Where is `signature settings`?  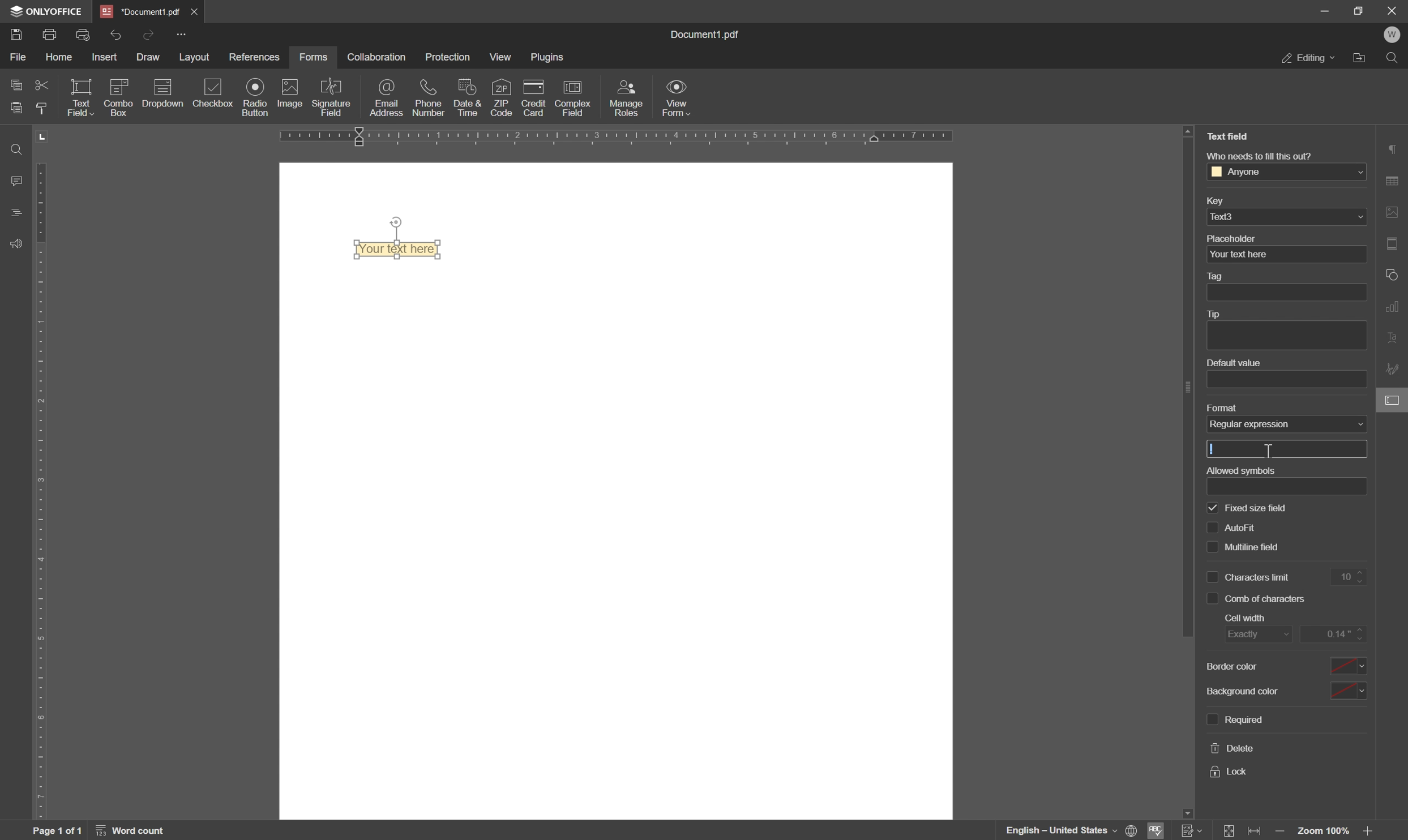 signature settings is located at coordinates (1394, 370).